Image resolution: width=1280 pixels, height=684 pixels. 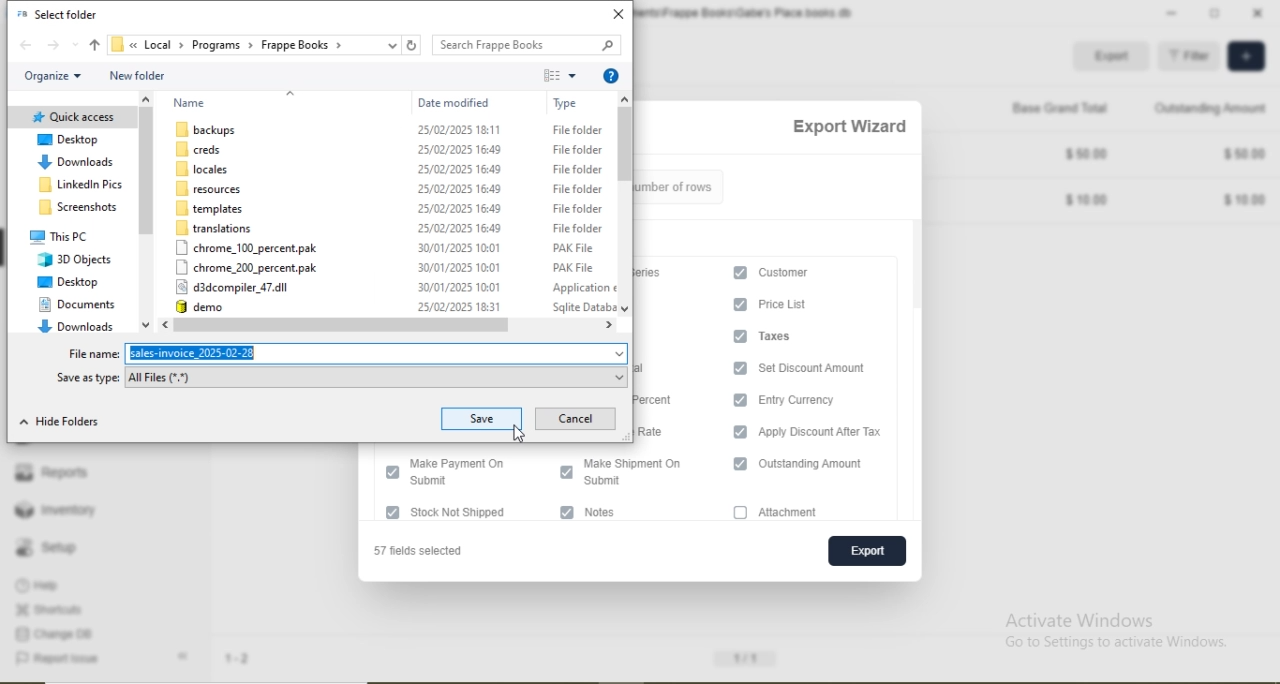 What do you see at coordinates (192, 102) in the screenshot?
I see `Name` at bounding box center [192, 102].